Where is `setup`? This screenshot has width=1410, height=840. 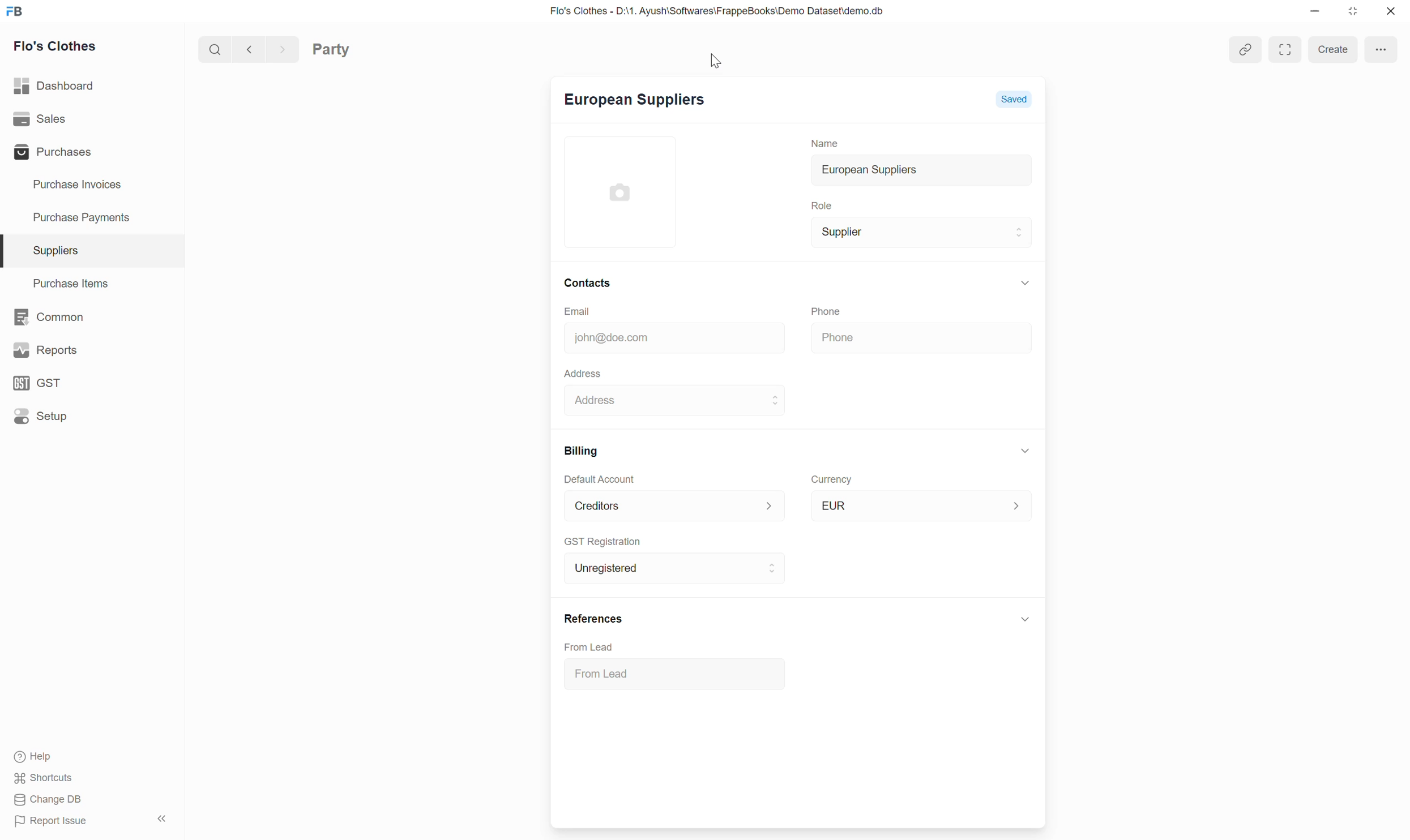
setup is located at coordinates (41, 416).